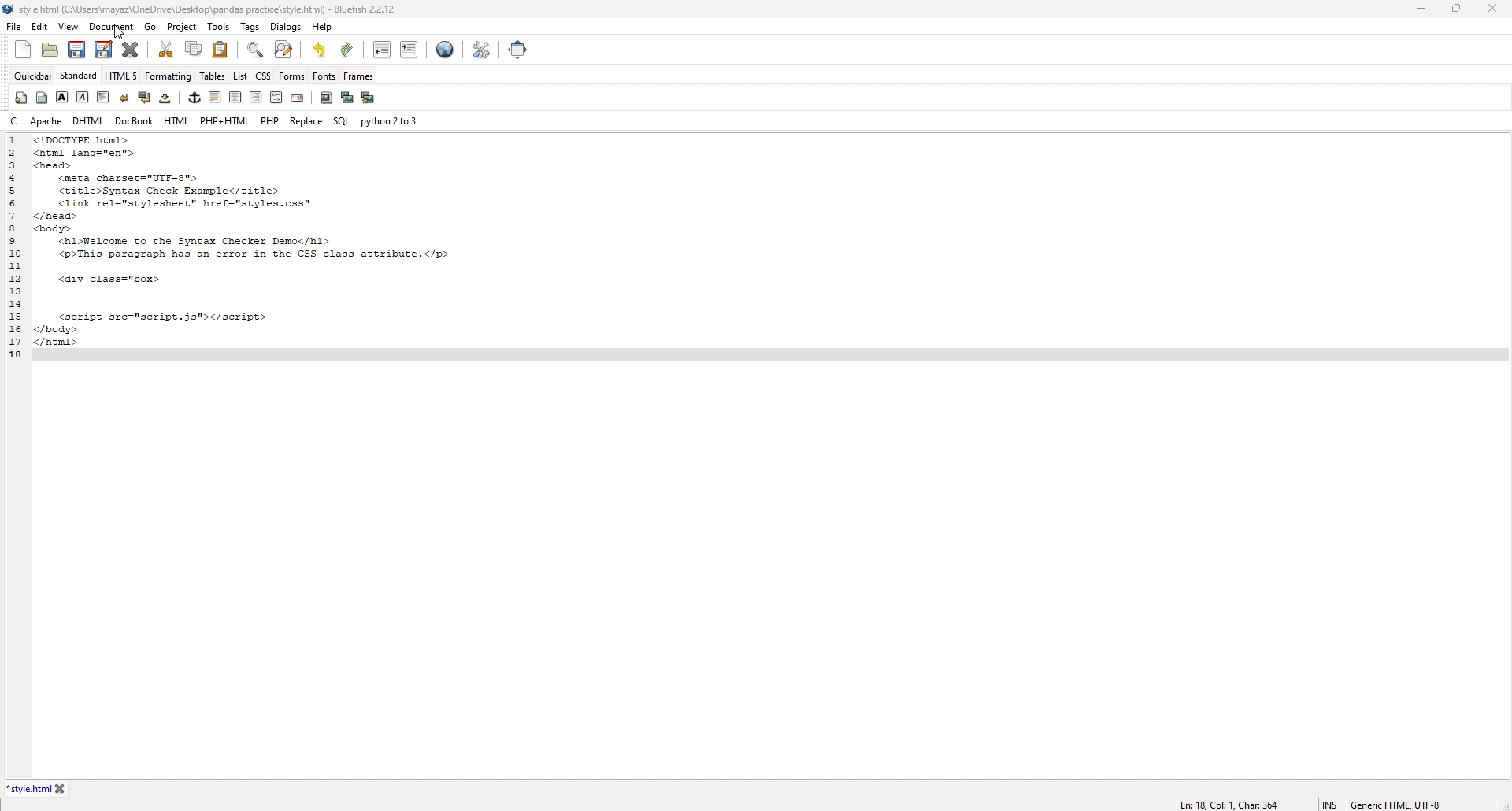 The image size is (1512, 811). What do you see at coordinates (1492, 8) in the screenshot?
I see `close` at bounding box center [1492, 8].